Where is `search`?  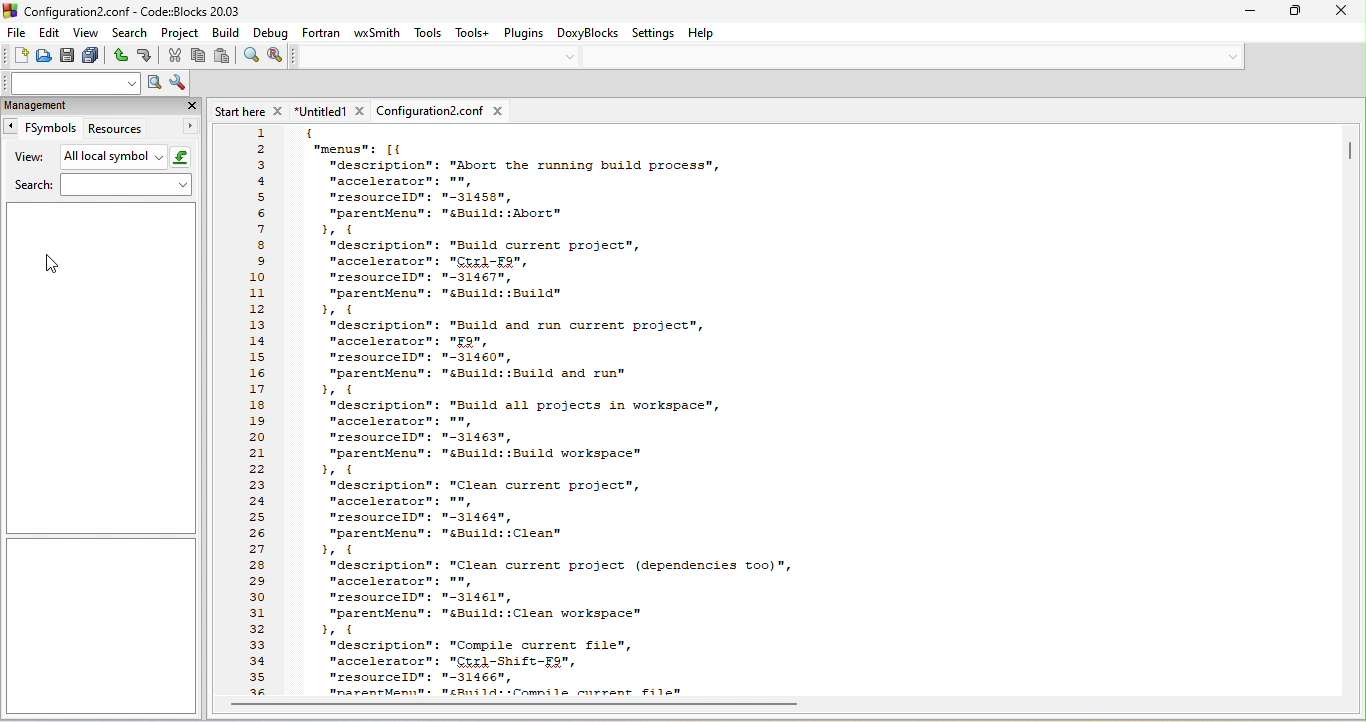
search is located at coordinates (100, 186).